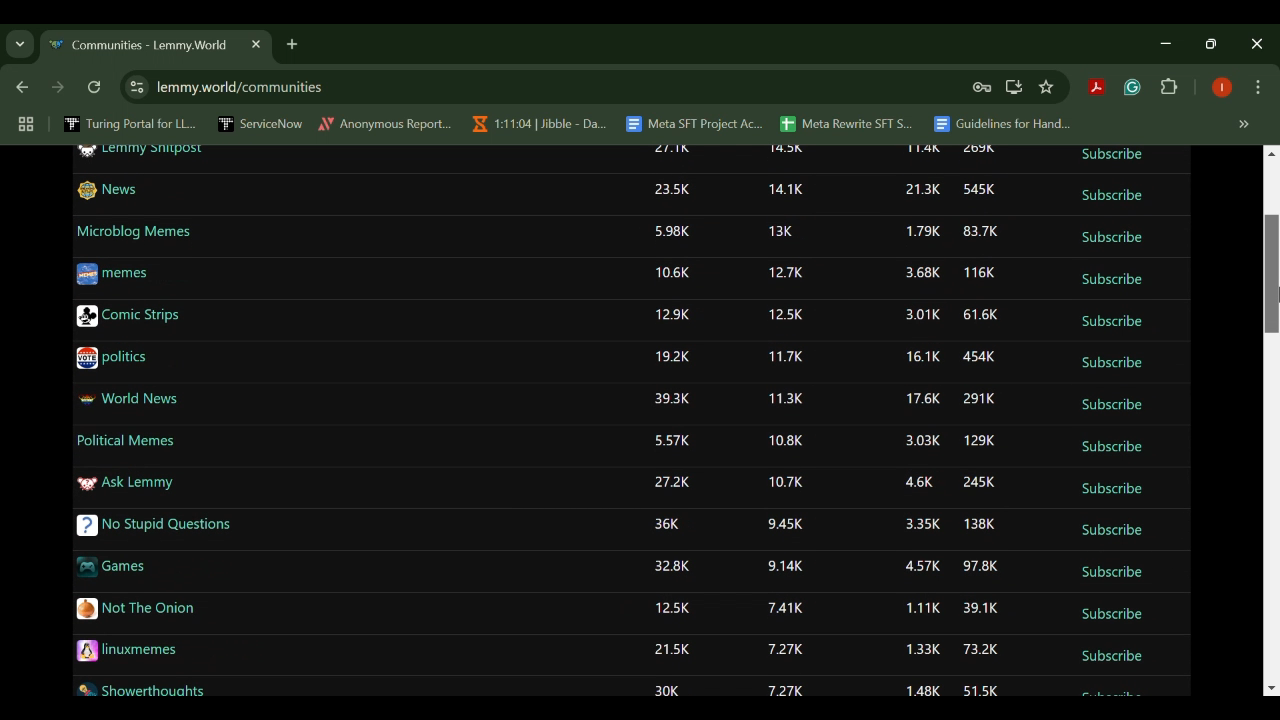 Image resolution: width=1280 pixels, height=720 pixels. Describe the element at coordinates (113, 275) in the screenshot. I see `memes` at that location.